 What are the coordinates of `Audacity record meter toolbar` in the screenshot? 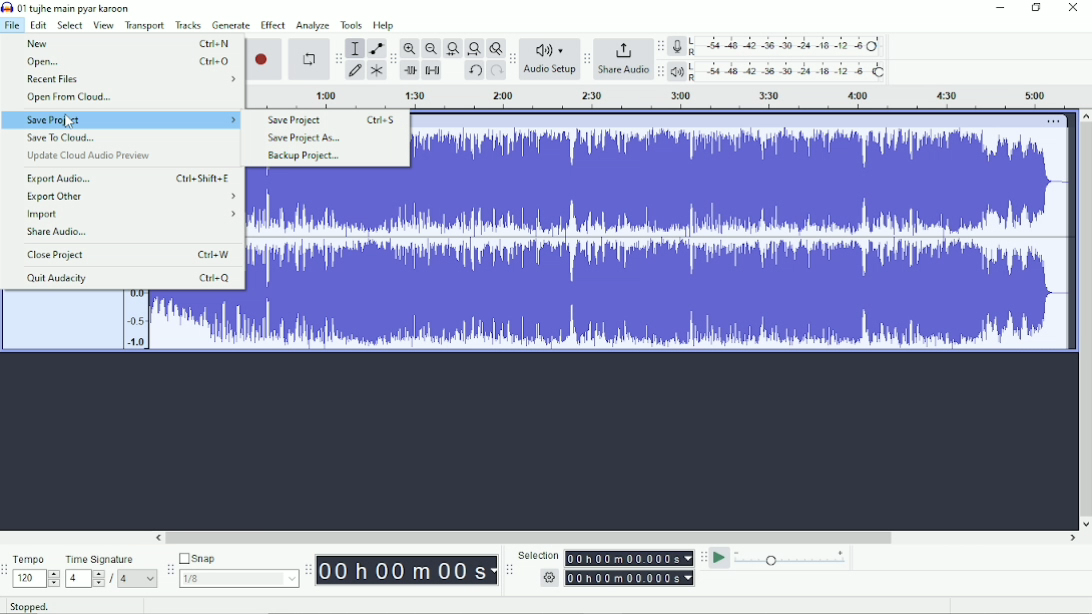 It's located at (660, 47).